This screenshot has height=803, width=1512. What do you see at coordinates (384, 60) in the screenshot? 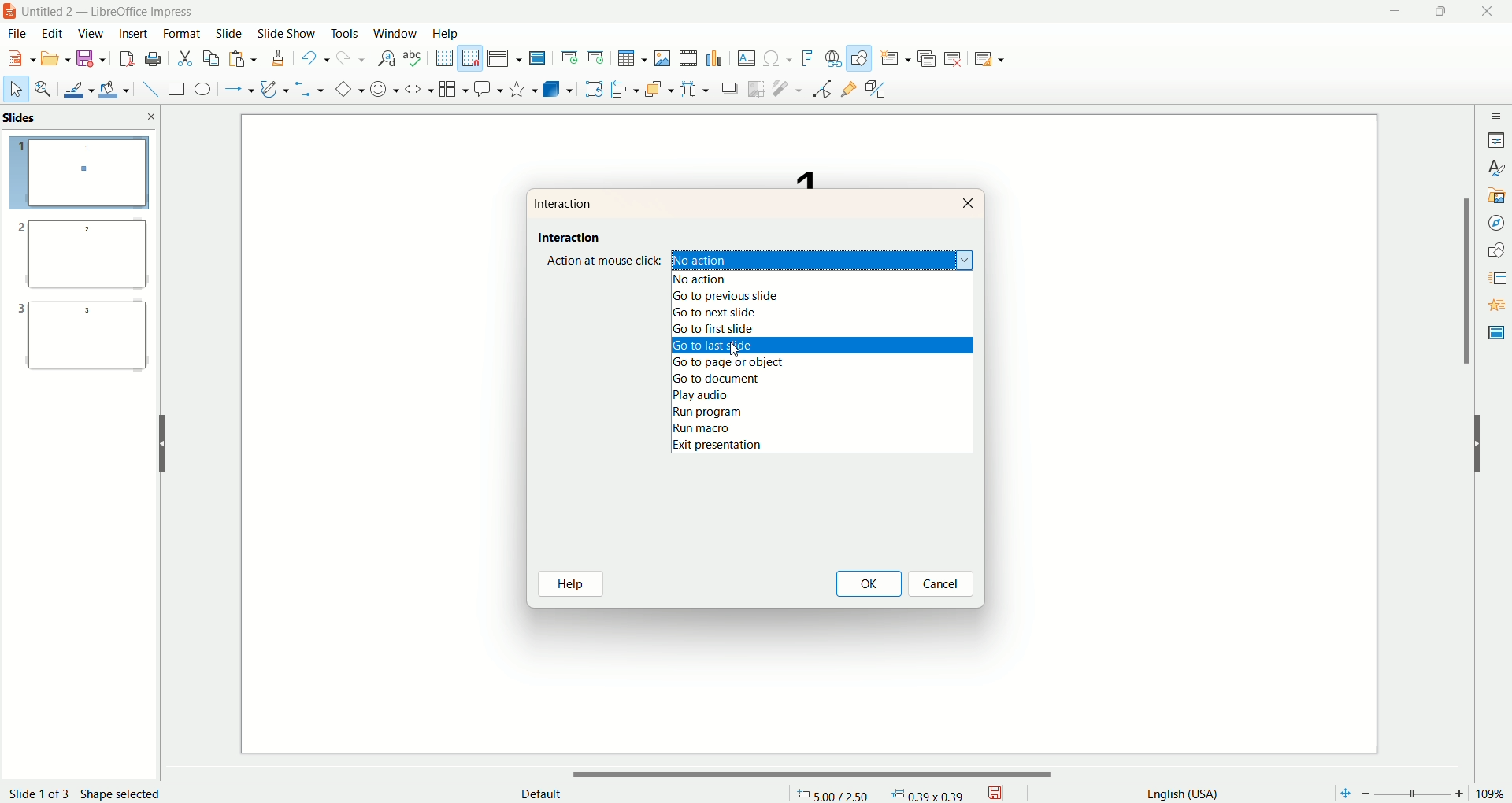
I see `find and replace` at bounding box center [384, 60].